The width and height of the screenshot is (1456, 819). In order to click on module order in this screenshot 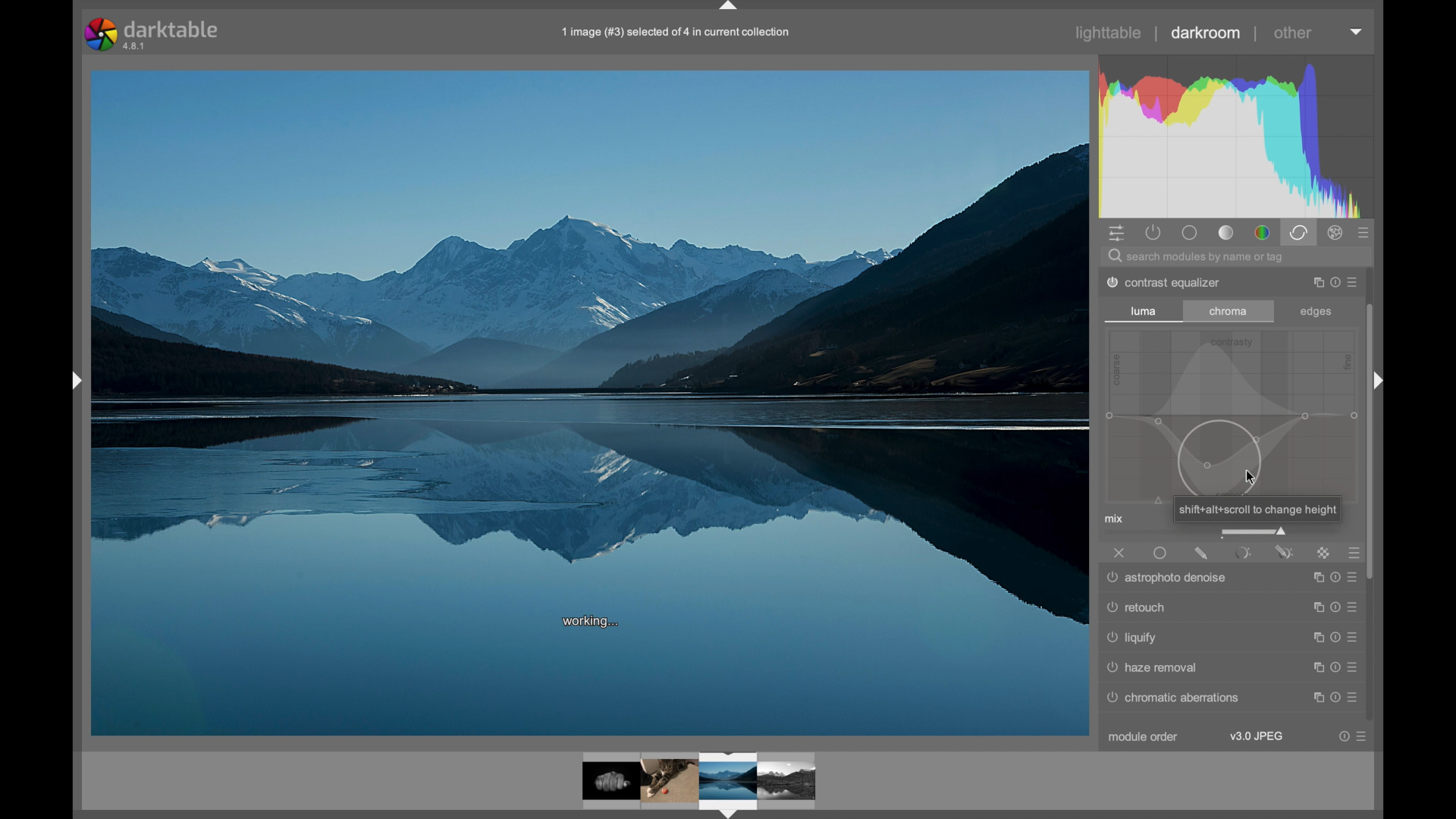, I will do `click(1145, 738)`.